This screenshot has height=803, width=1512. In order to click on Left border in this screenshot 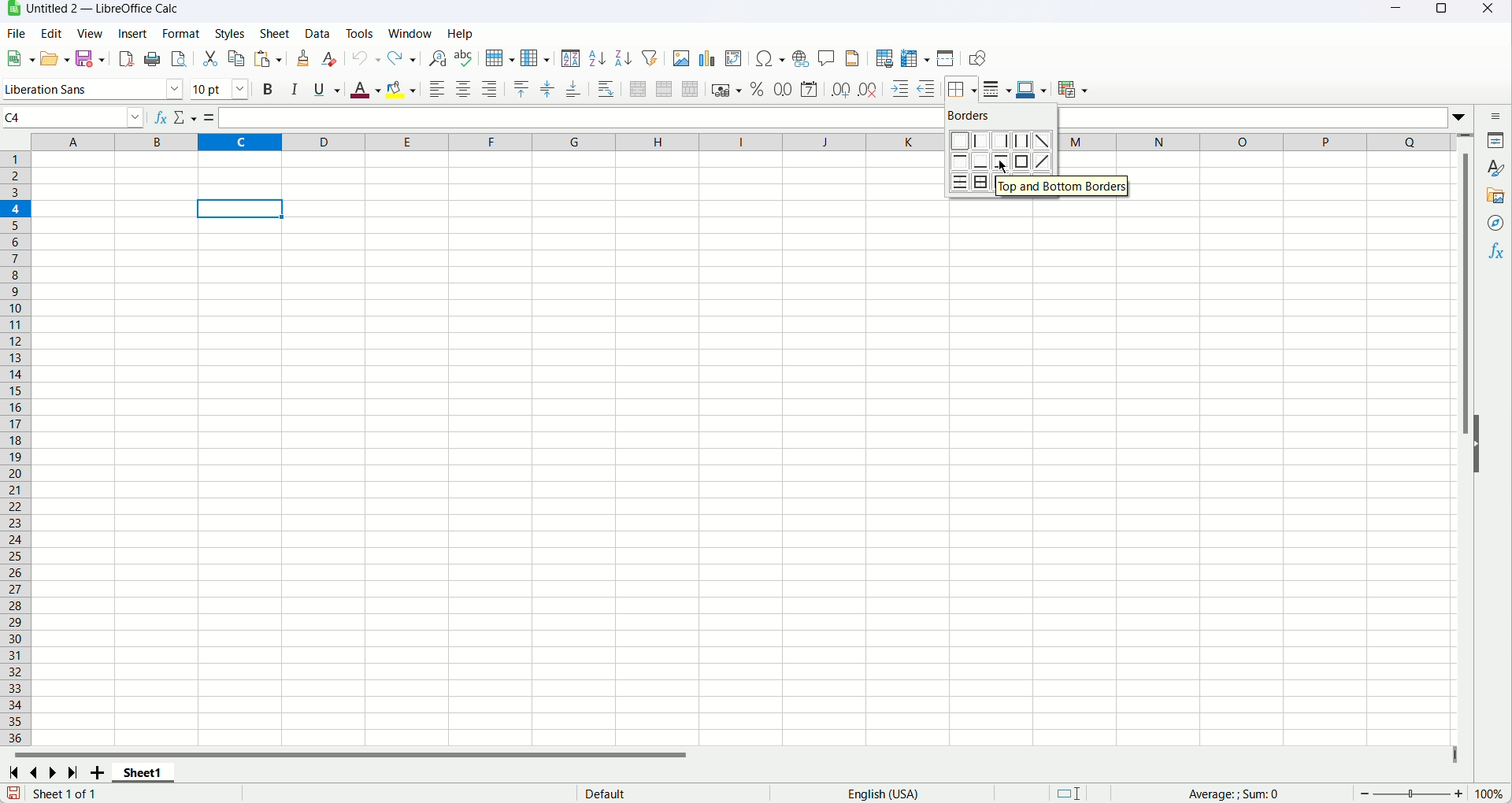, I will do `click(982, 141)`.